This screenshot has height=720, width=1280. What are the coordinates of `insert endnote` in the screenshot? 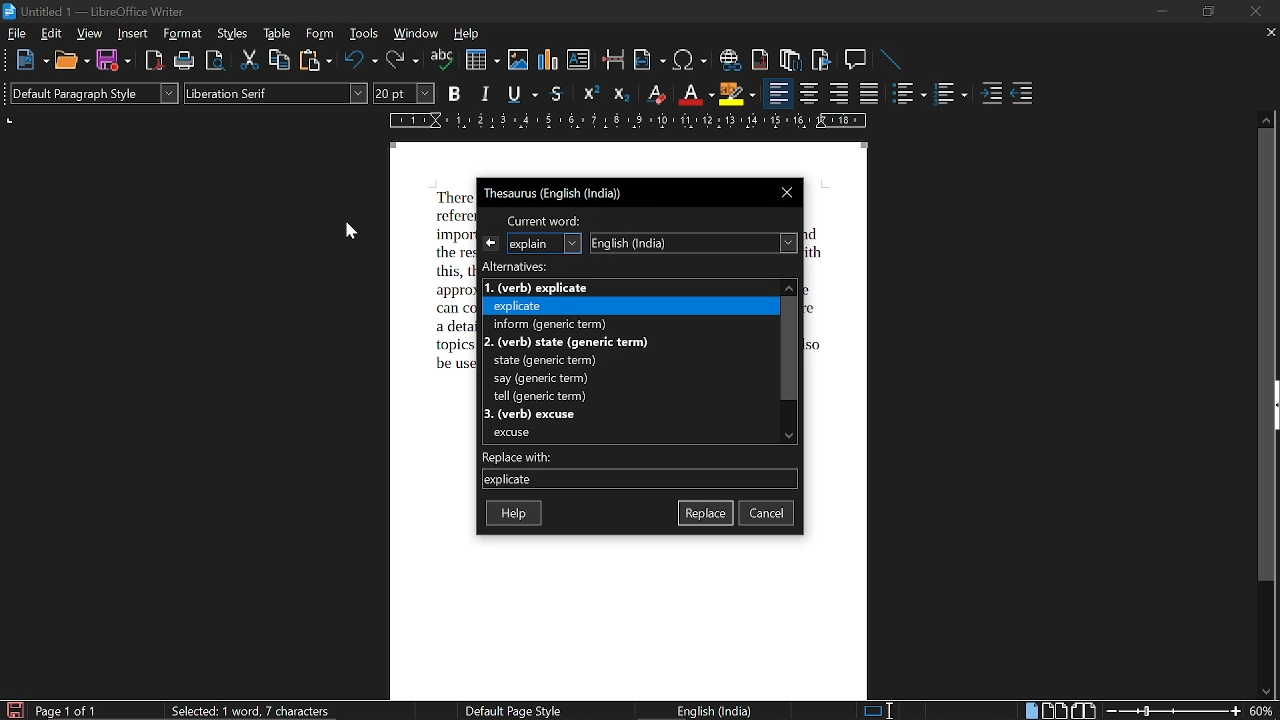 It's located at (761, 59).